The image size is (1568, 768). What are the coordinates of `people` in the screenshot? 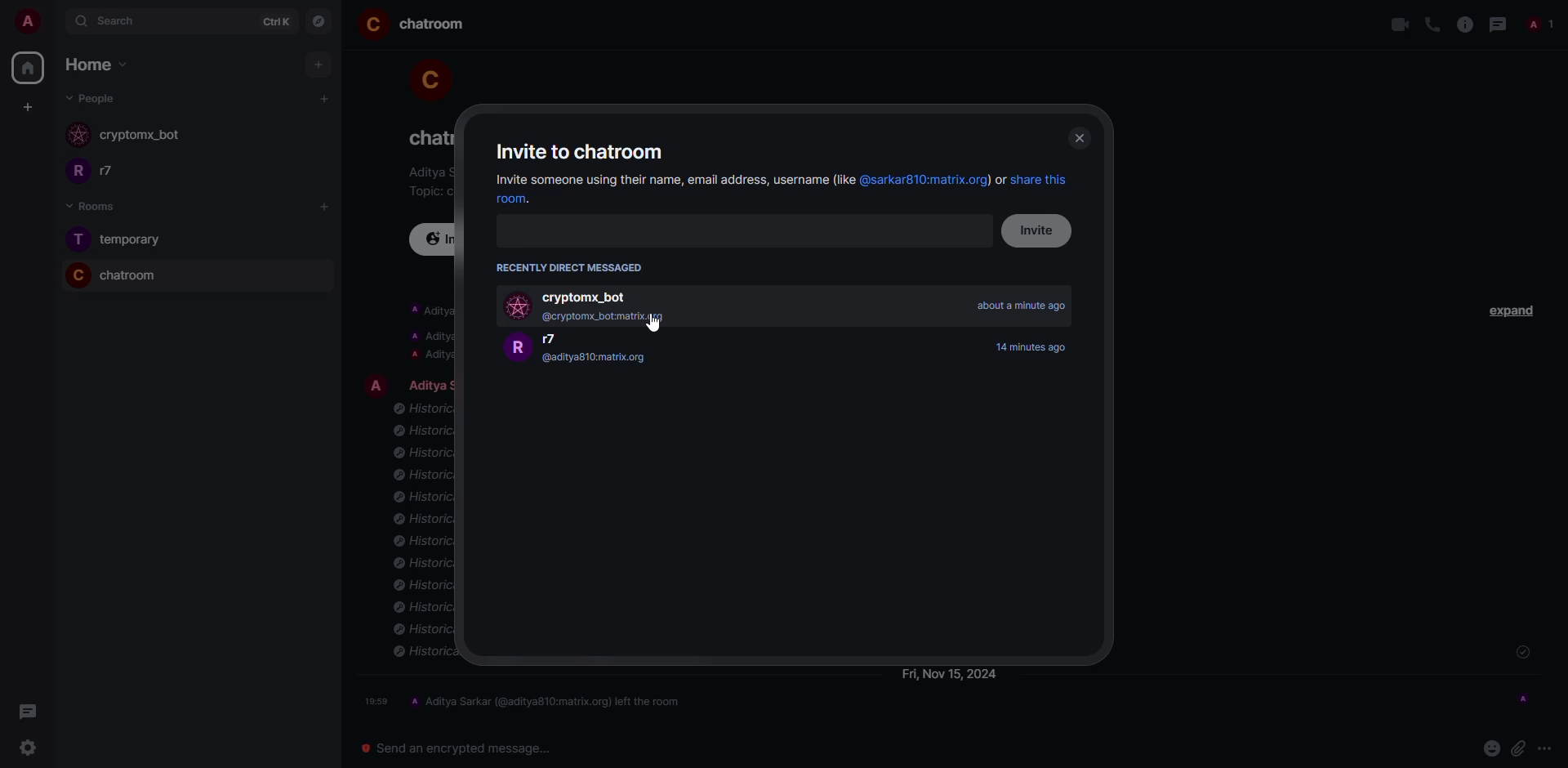 It's located at (118, 172).